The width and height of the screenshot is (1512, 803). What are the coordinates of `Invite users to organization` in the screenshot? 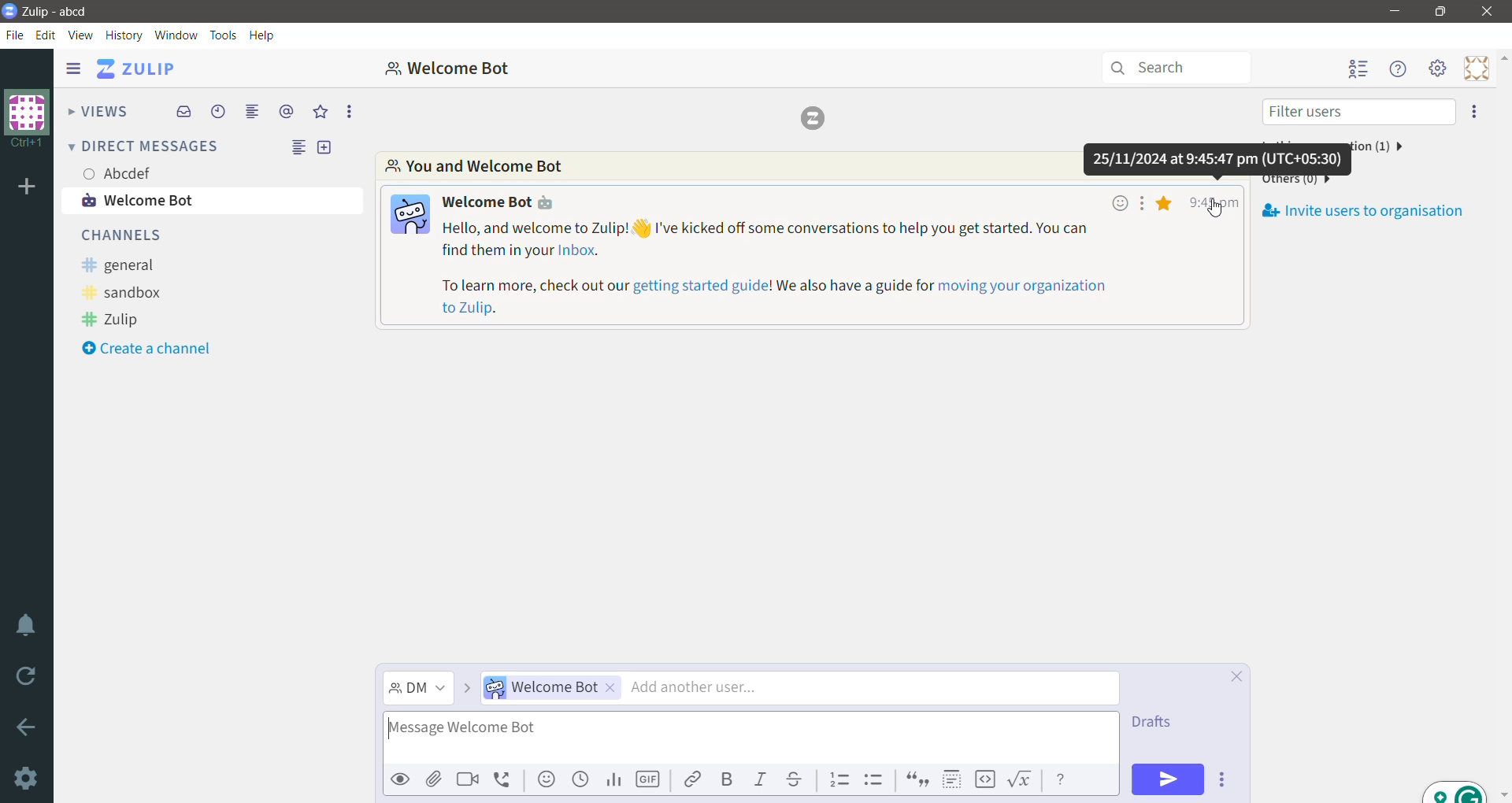 It's located at (1473, 113).